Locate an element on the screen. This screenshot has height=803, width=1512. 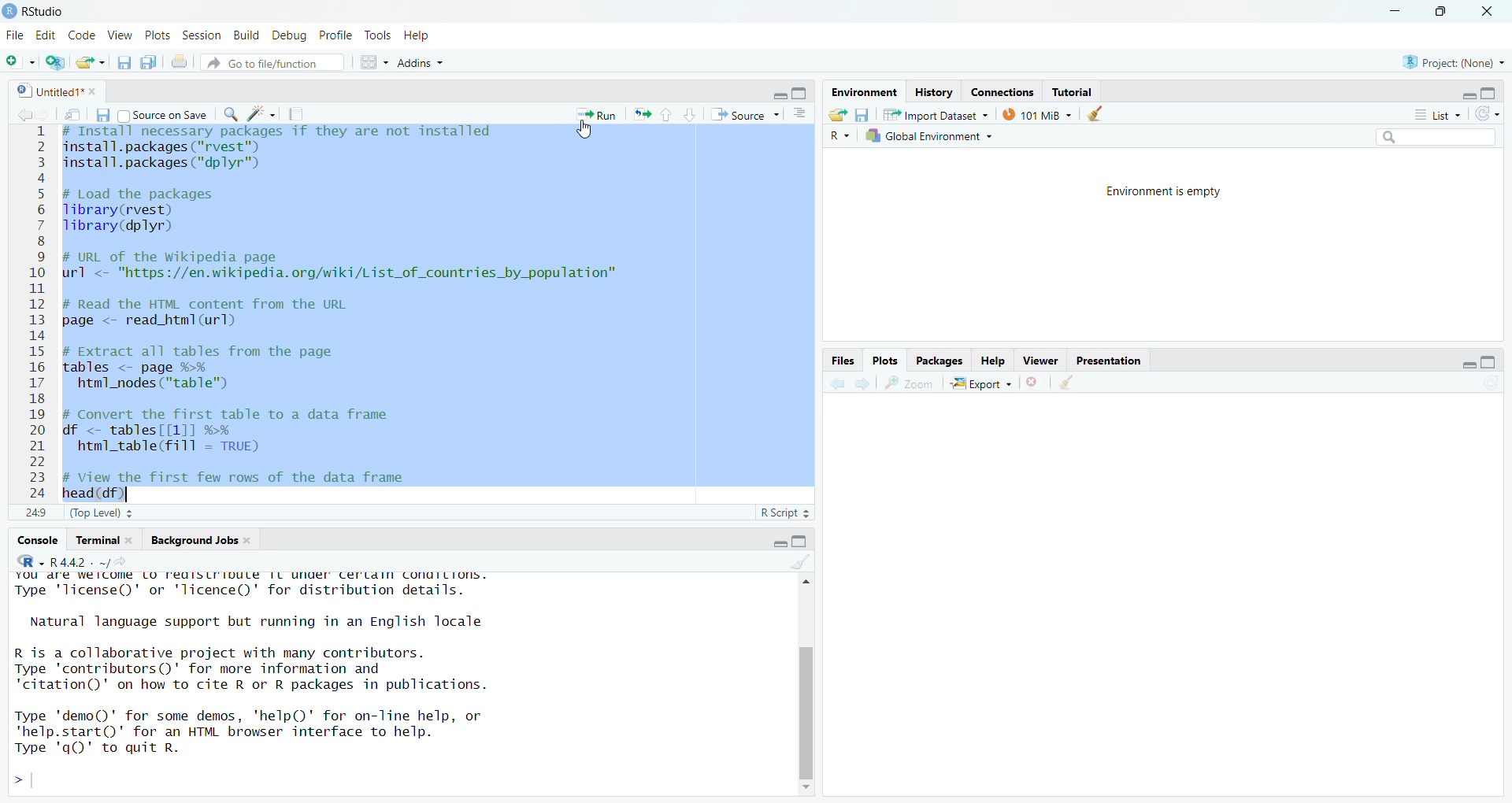
R Script is located at coordinates (786, 513).